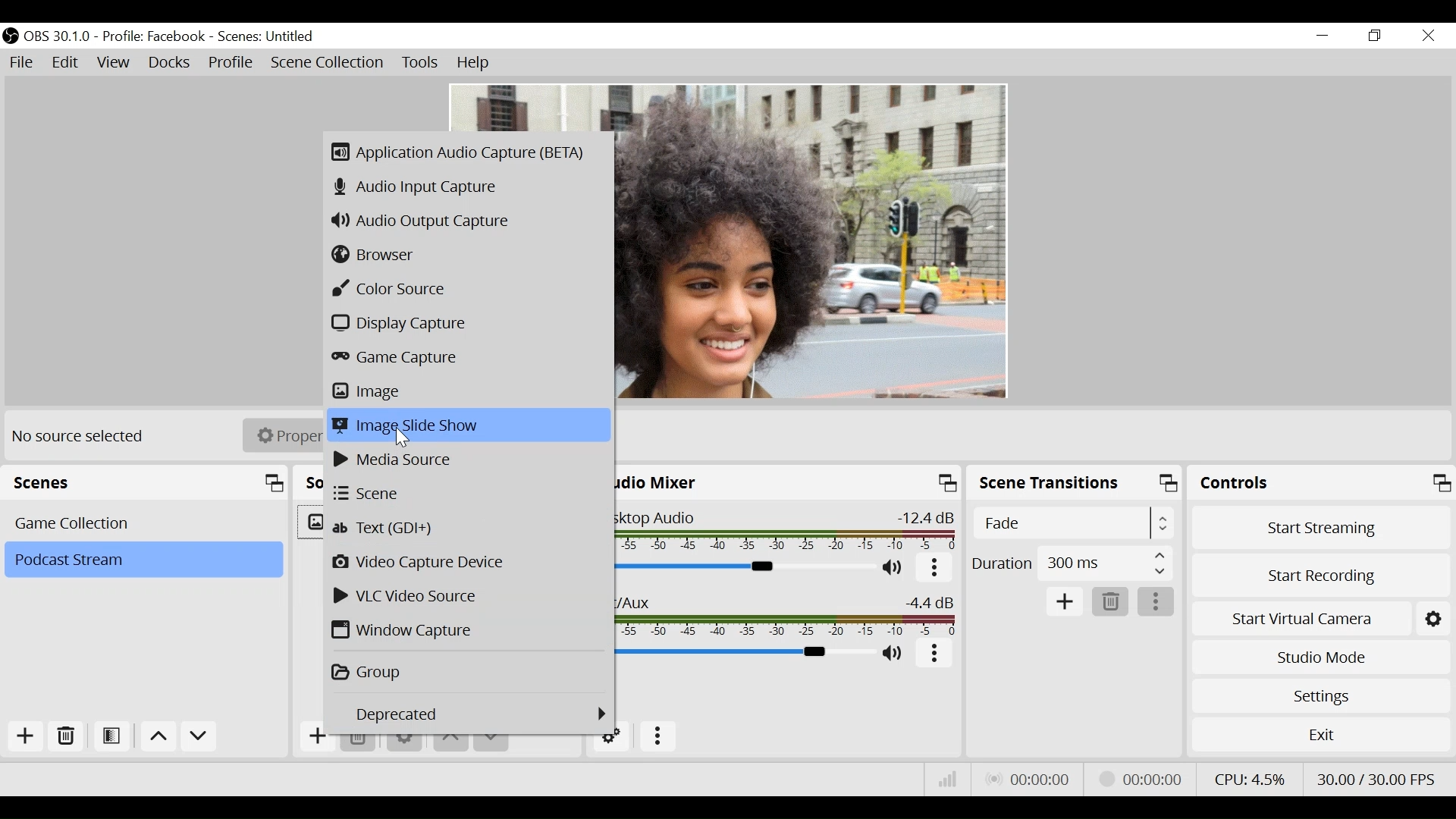 This screenshot has height=819, width=1456. What do you see at coordinates (67, 737) in the screenshot?
I see `Remove` at bounding box center [67, 737].